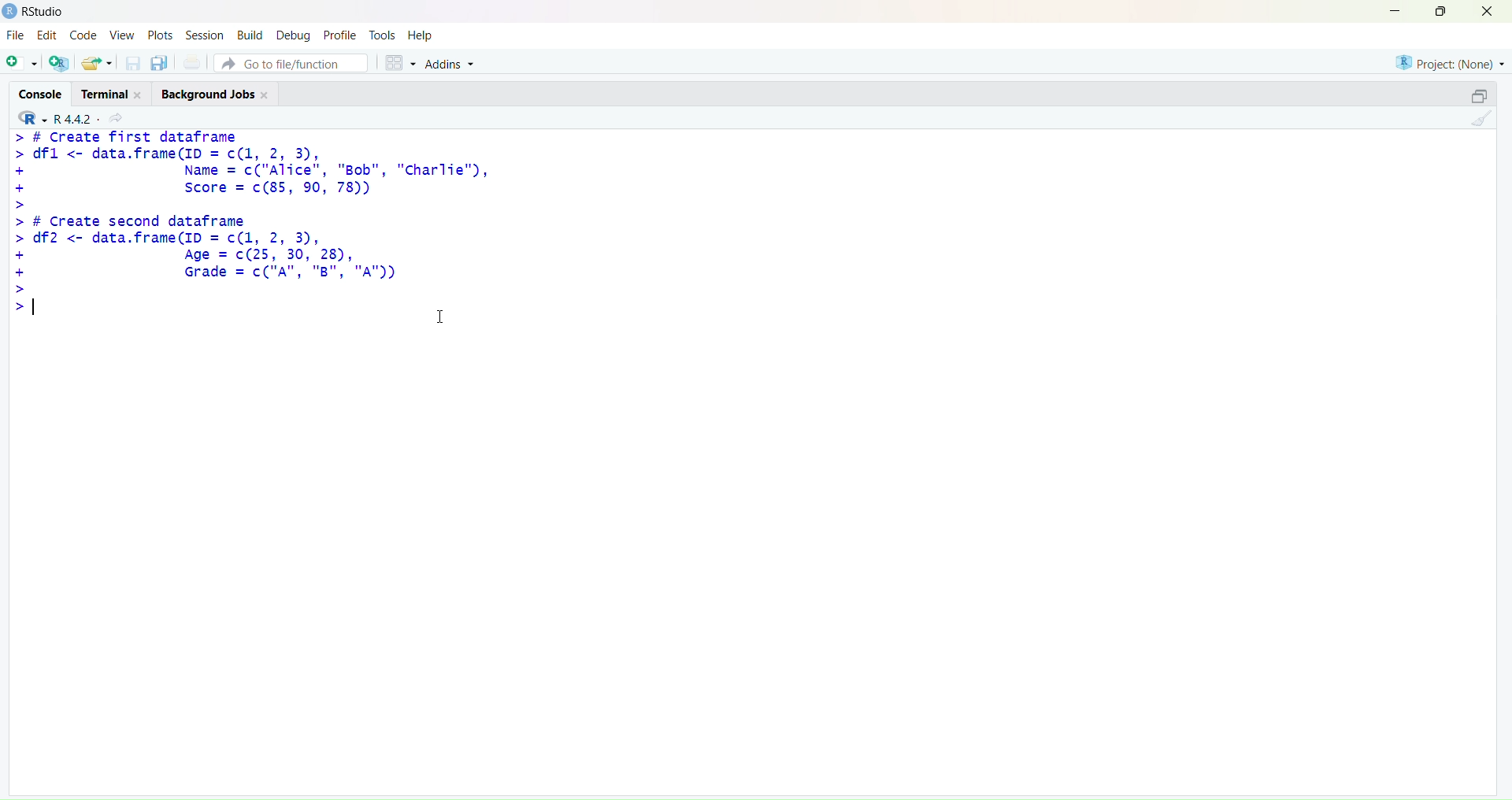  I want to click on Addins, so click(450, 63).